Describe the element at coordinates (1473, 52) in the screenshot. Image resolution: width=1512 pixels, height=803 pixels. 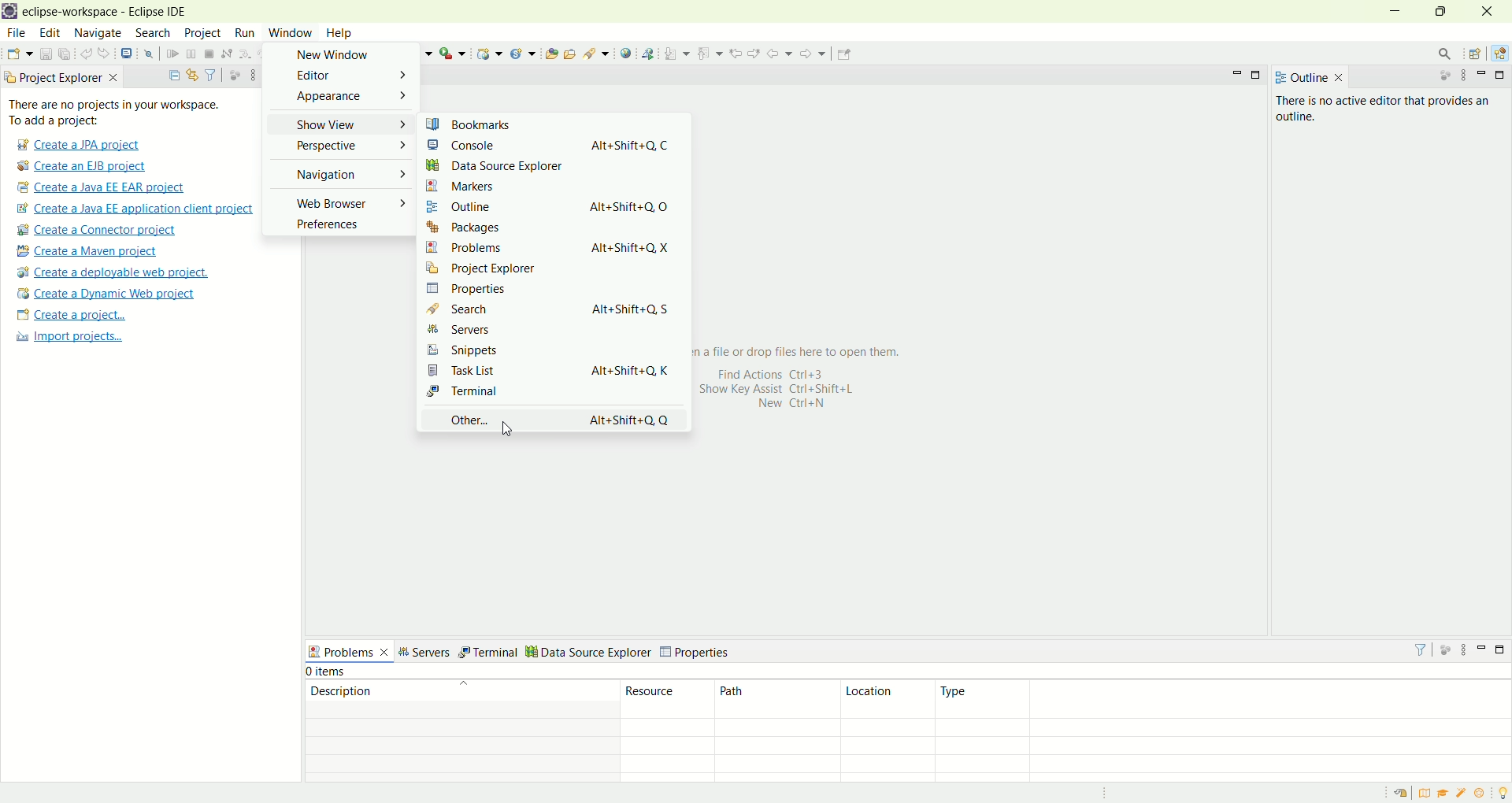
I see `open perspective` at that location.